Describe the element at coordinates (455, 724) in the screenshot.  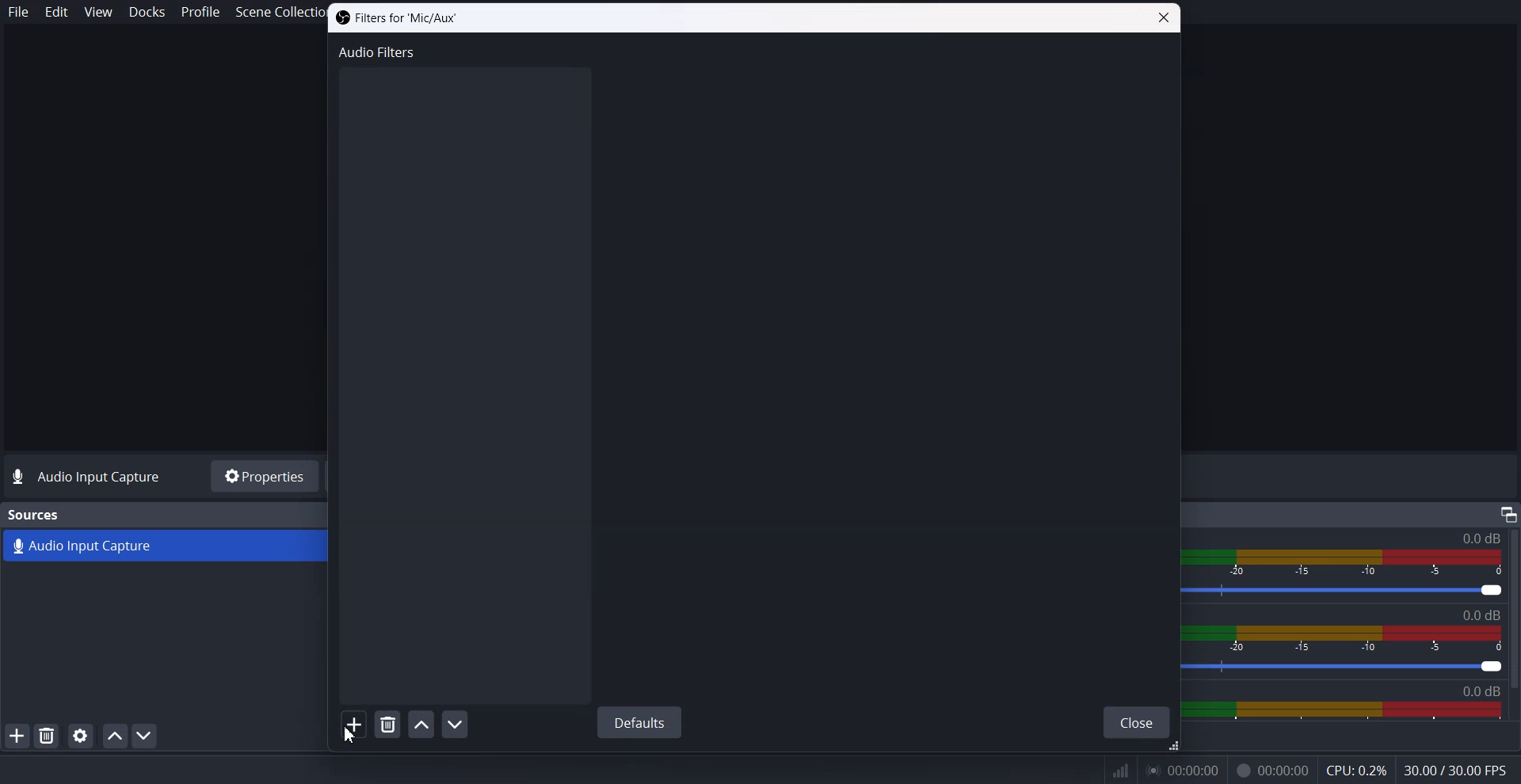
I see `Move filter down` at that location.